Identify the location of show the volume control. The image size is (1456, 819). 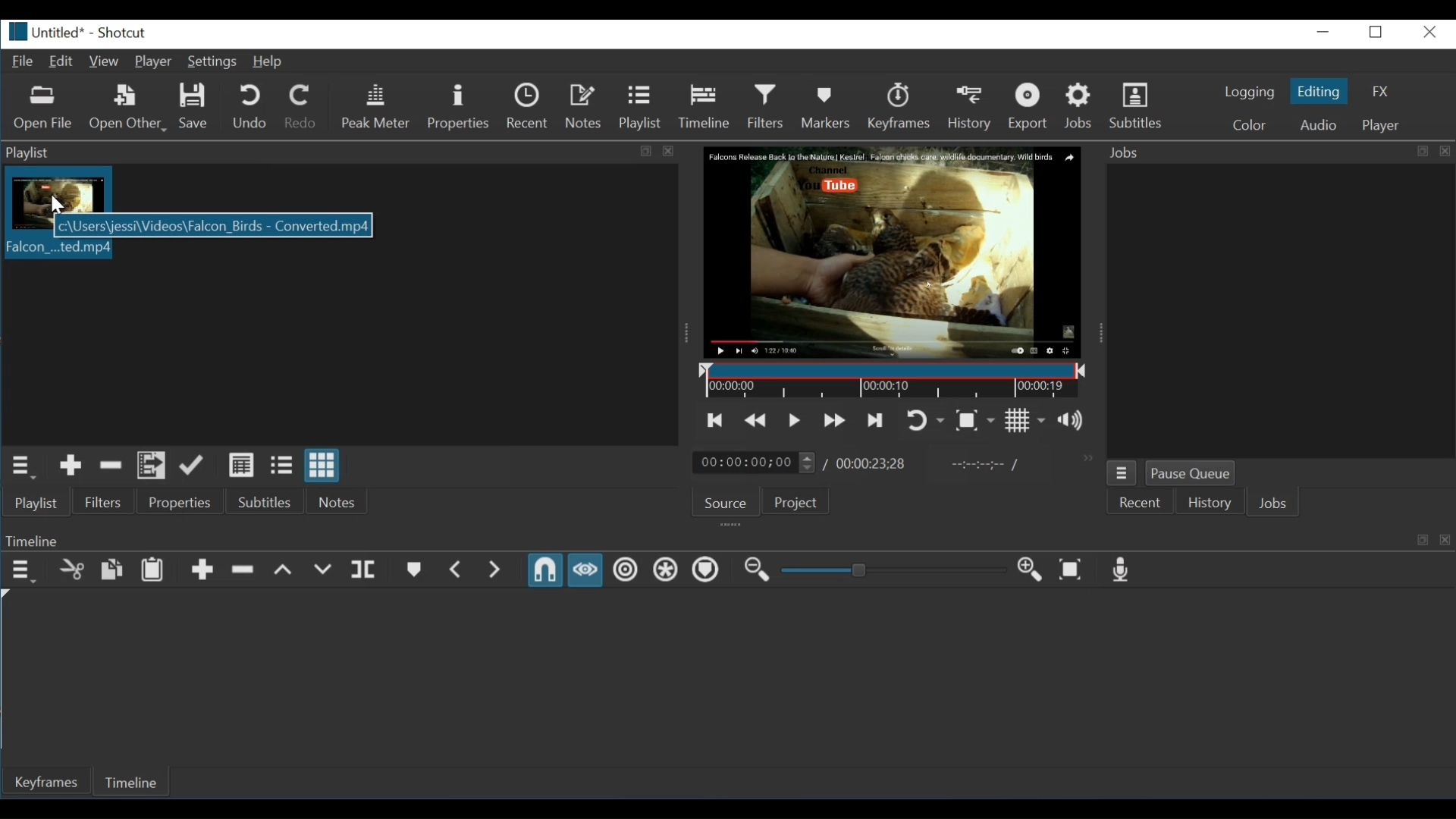
(1075, 420).